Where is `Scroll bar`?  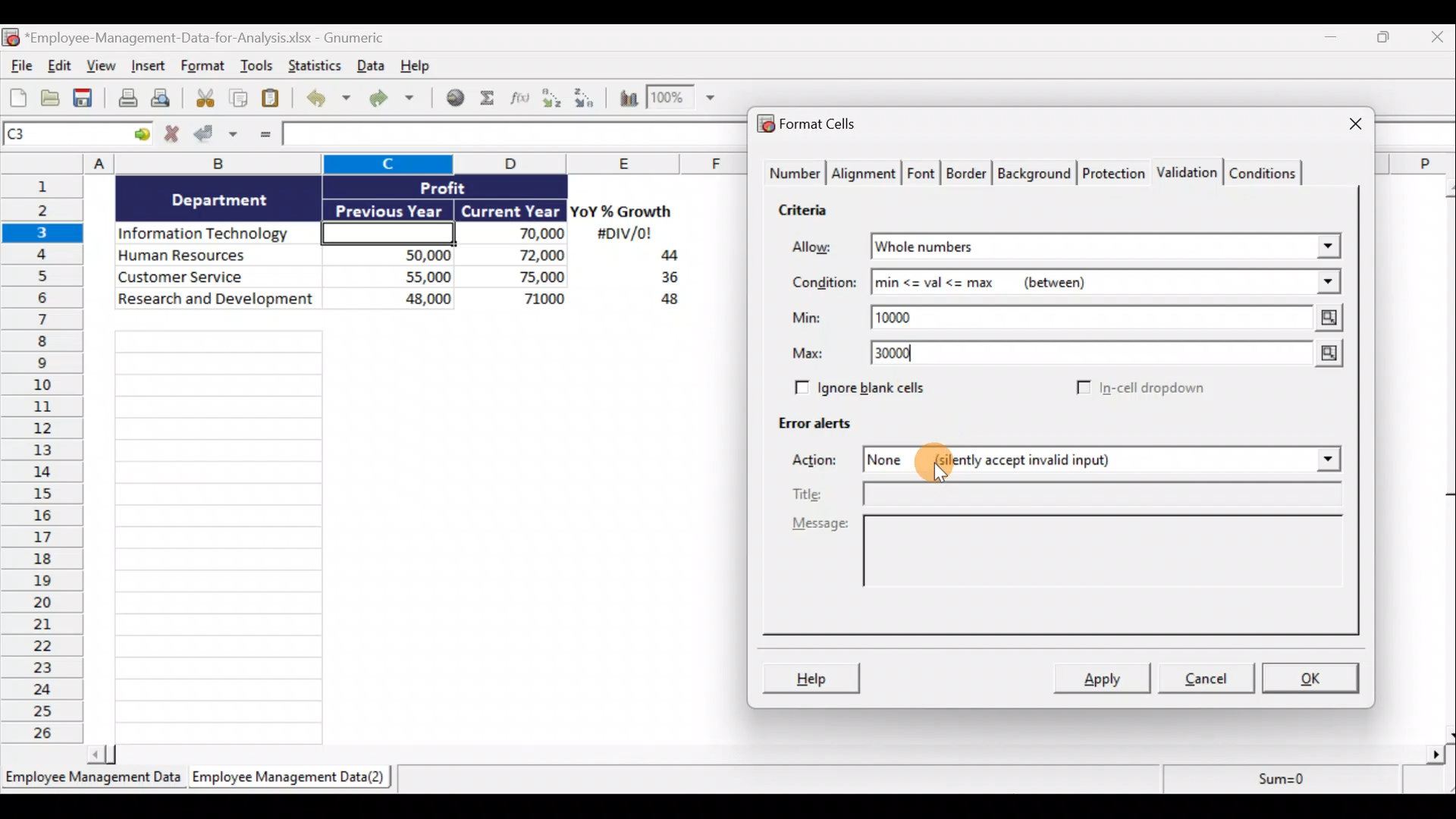
Scroll bar is located at coordinates (1443, 457).